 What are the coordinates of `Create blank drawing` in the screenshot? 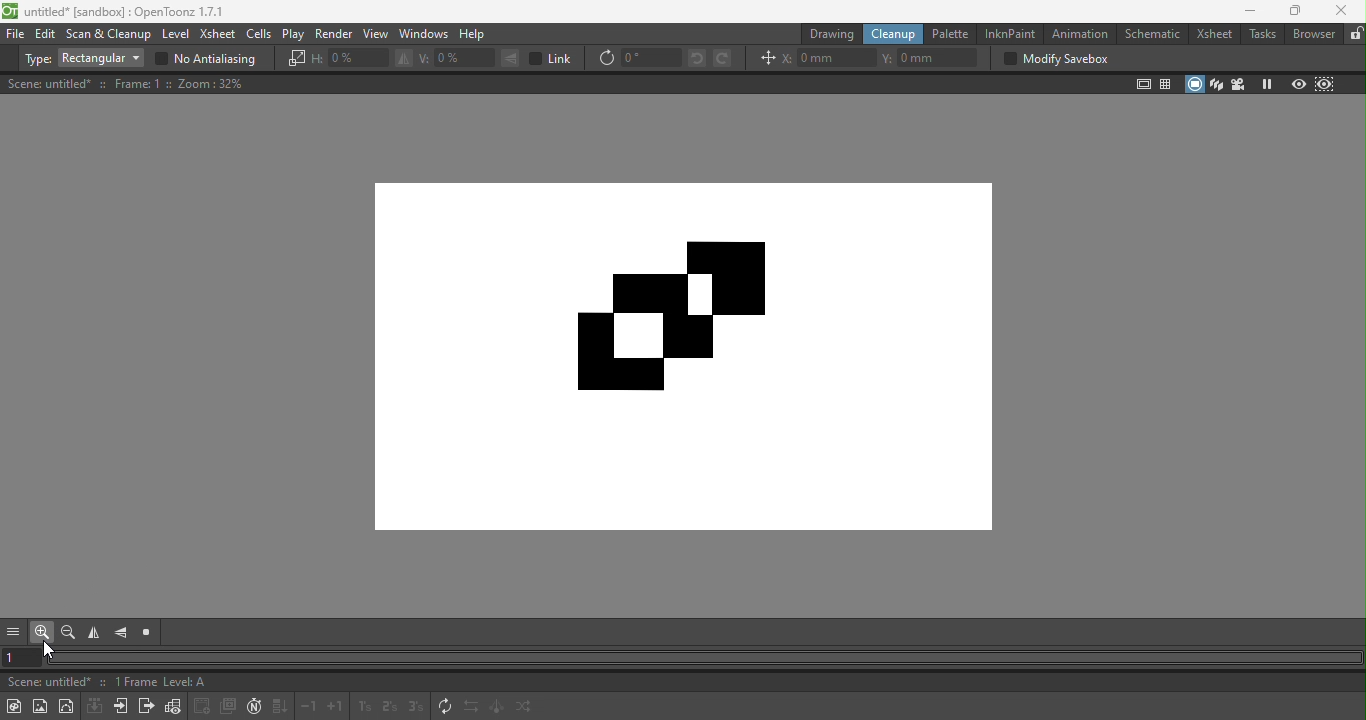 It's located at (202, 706).